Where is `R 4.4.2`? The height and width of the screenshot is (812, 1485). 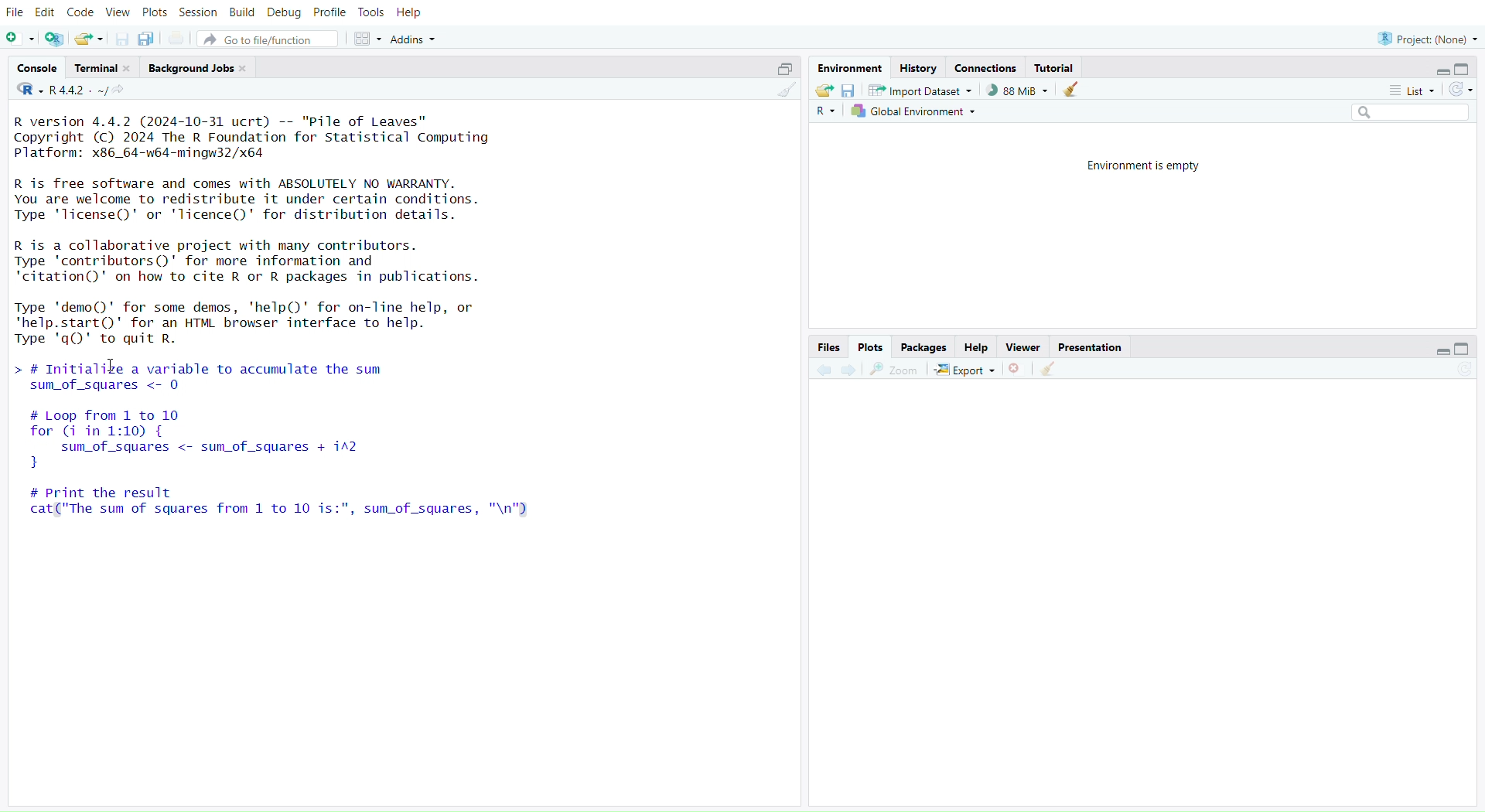
R 4.4.2 is located at coordinates (59, 90).